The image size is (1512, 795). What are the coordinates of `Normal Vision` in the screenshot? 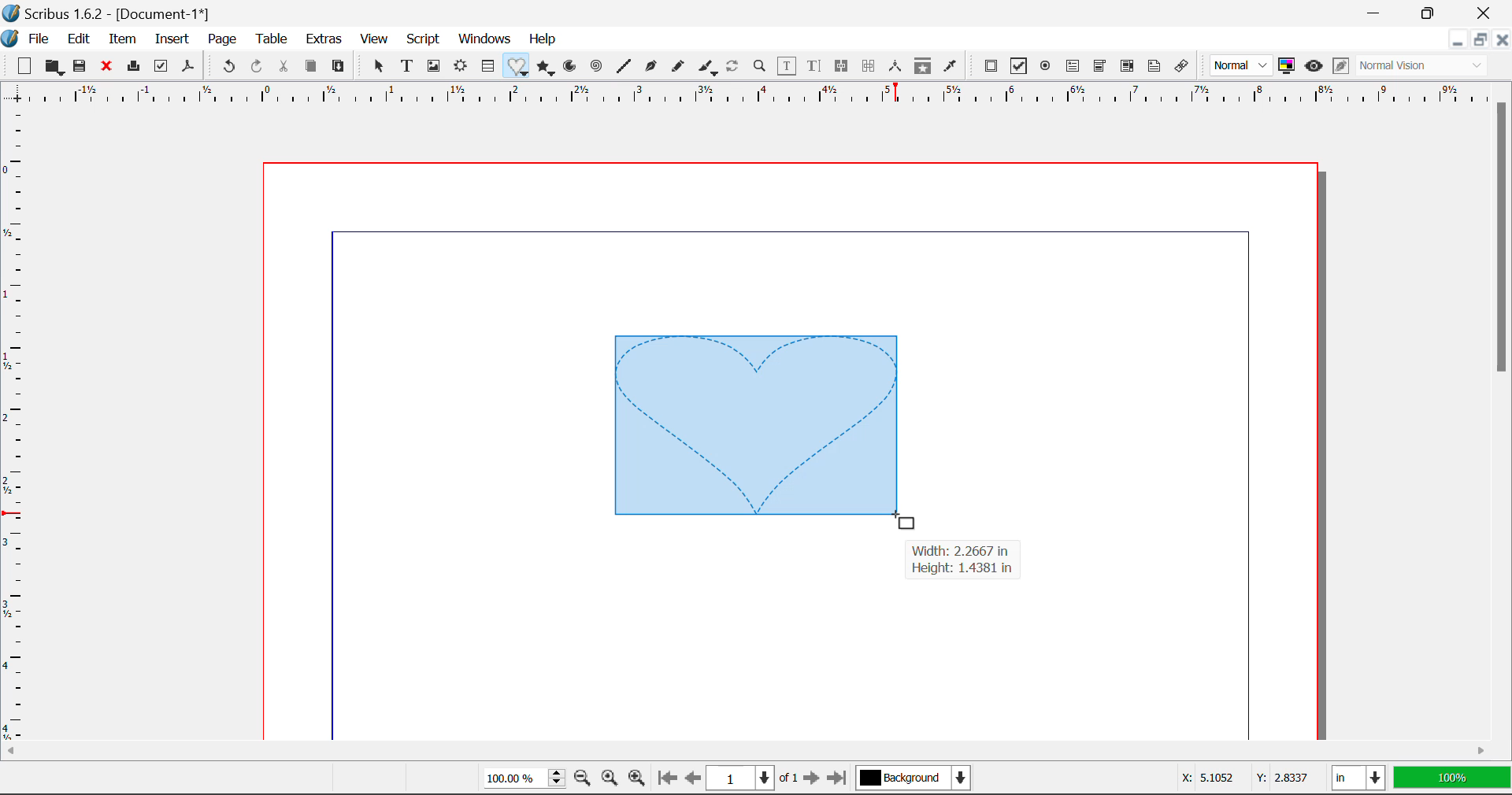 It's located at (1424, 67).